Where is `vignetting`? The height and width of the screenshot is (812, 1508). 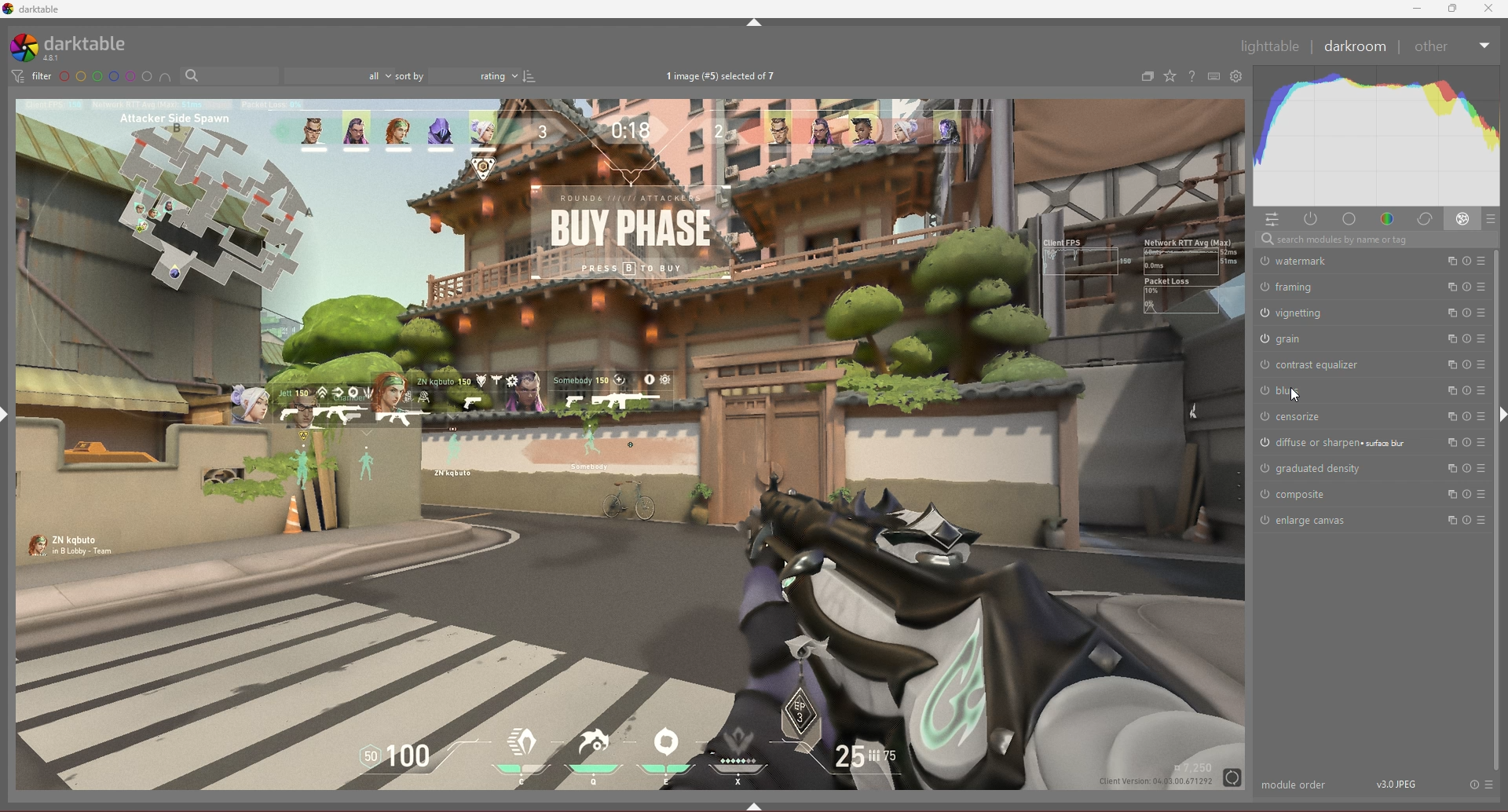 vignetting is located at coordinates (1322, 313).